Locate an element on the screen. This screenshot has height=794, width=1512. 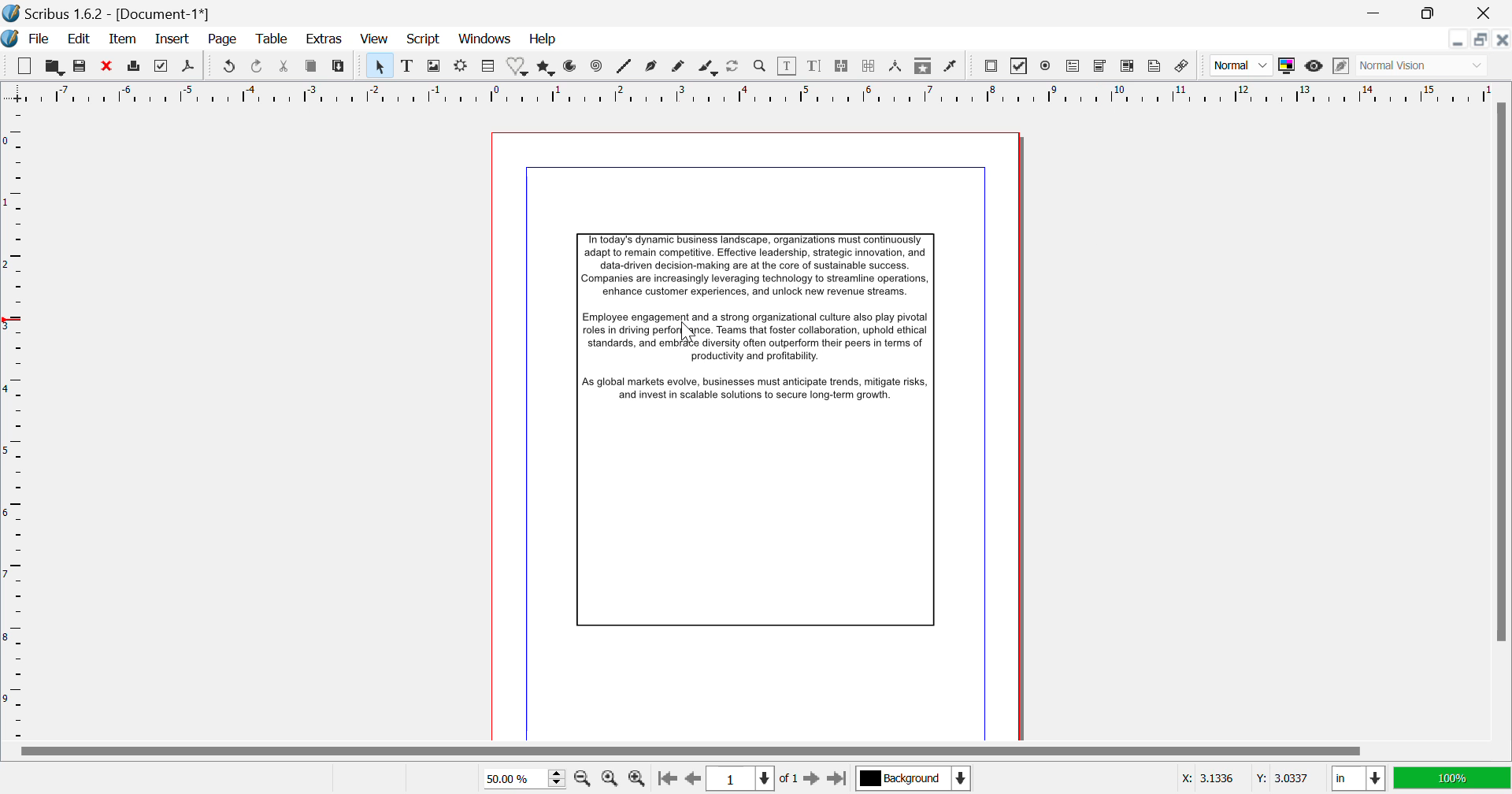
Last Page is located at coordinates (838, 779).